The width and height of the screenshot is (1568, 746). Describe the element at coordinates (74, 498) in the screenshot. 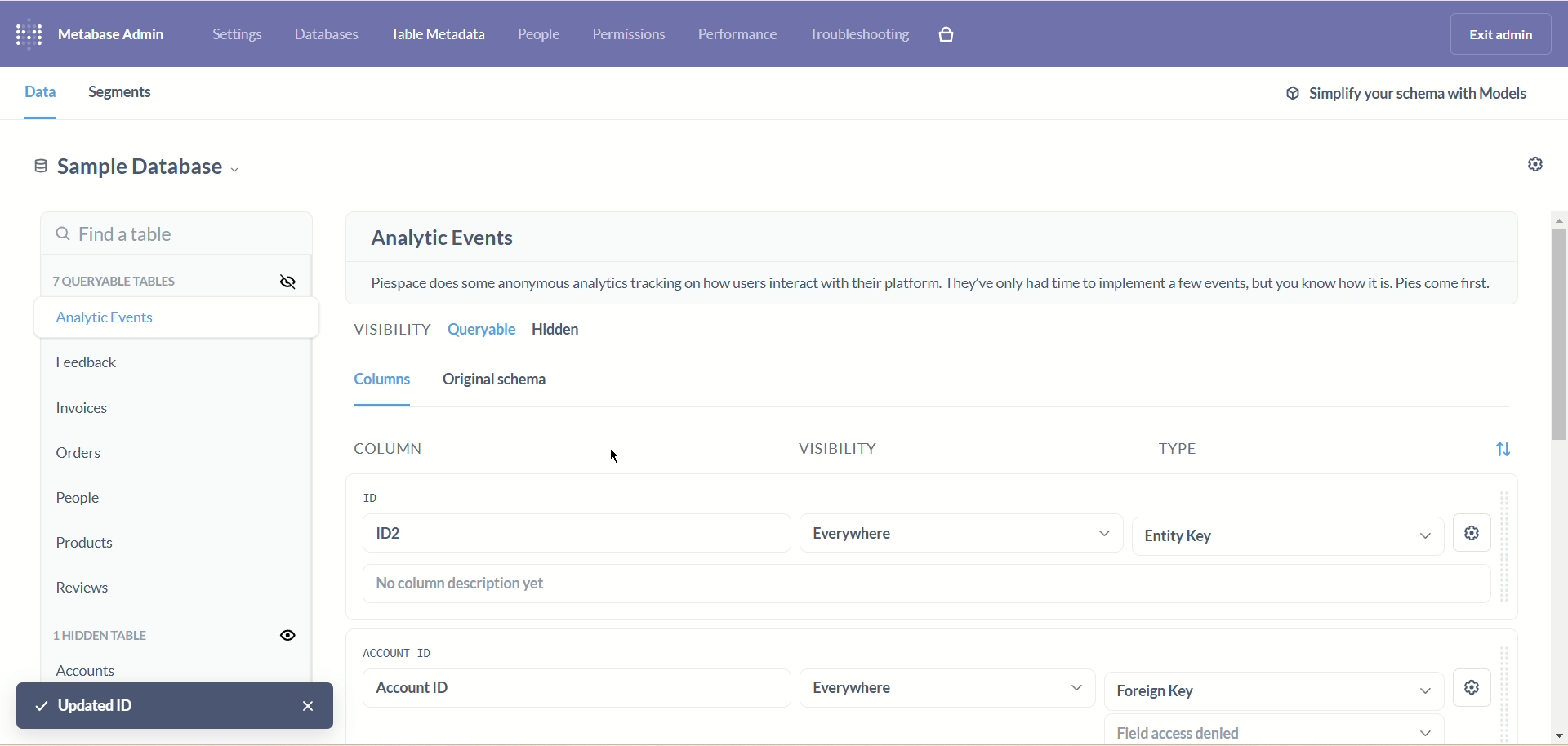

I see `People` at that location.